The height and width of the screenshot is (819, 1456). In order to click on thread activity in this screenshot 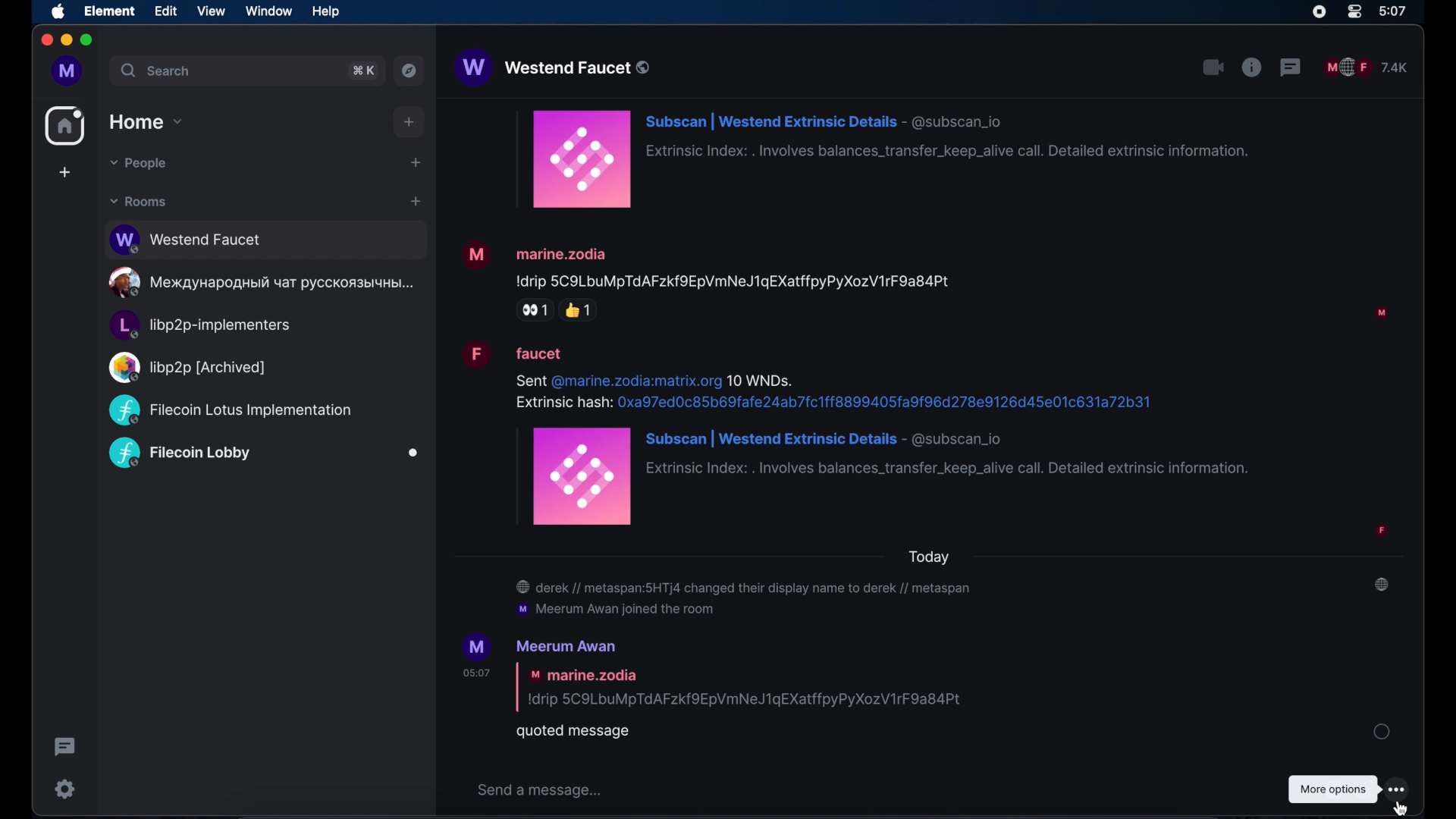, I will do `click(64, 747)`.